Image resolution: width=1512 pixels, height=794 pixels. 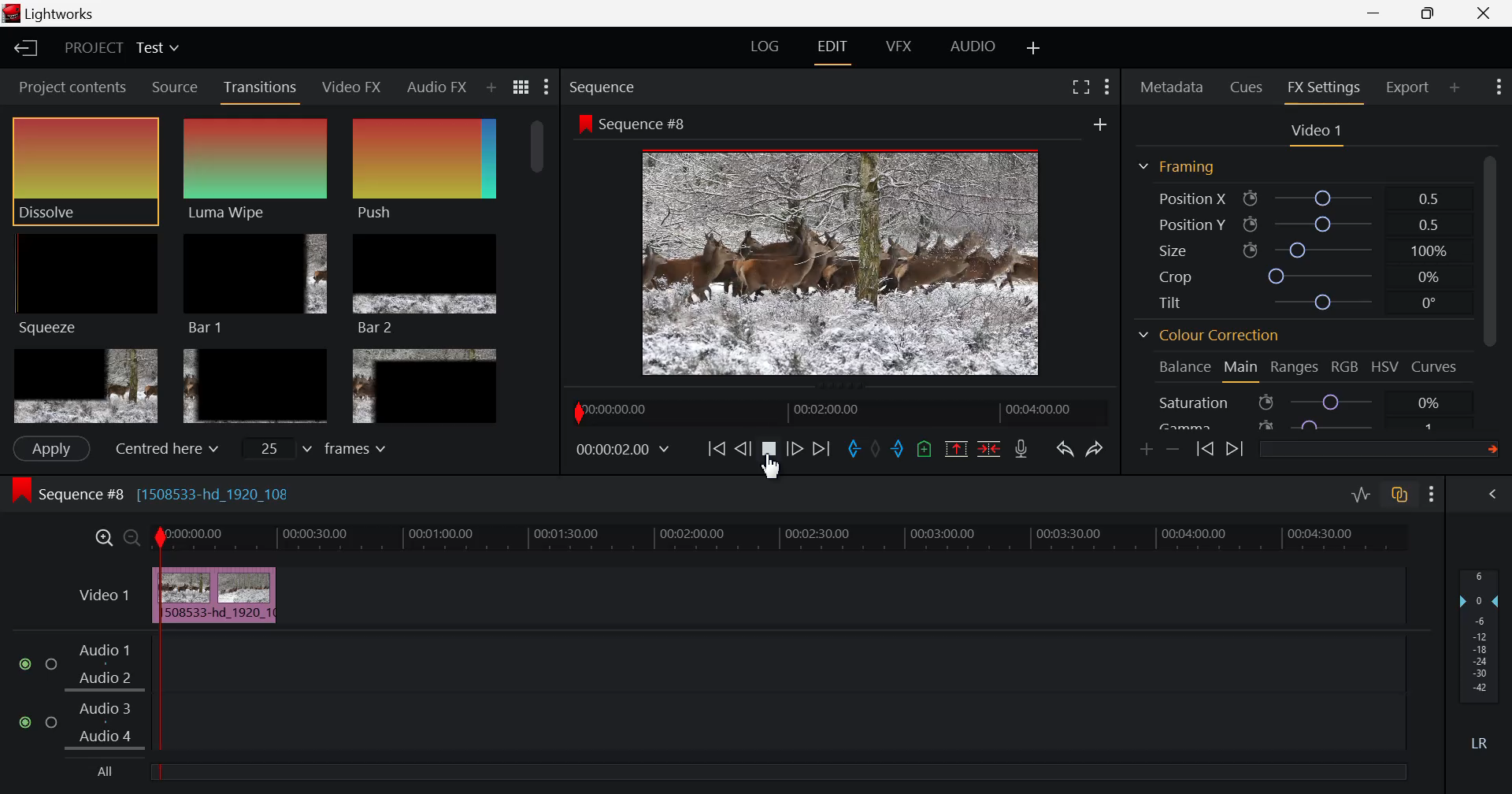 I want to click on EDIT Tab Open, so click(x=836, y=46).